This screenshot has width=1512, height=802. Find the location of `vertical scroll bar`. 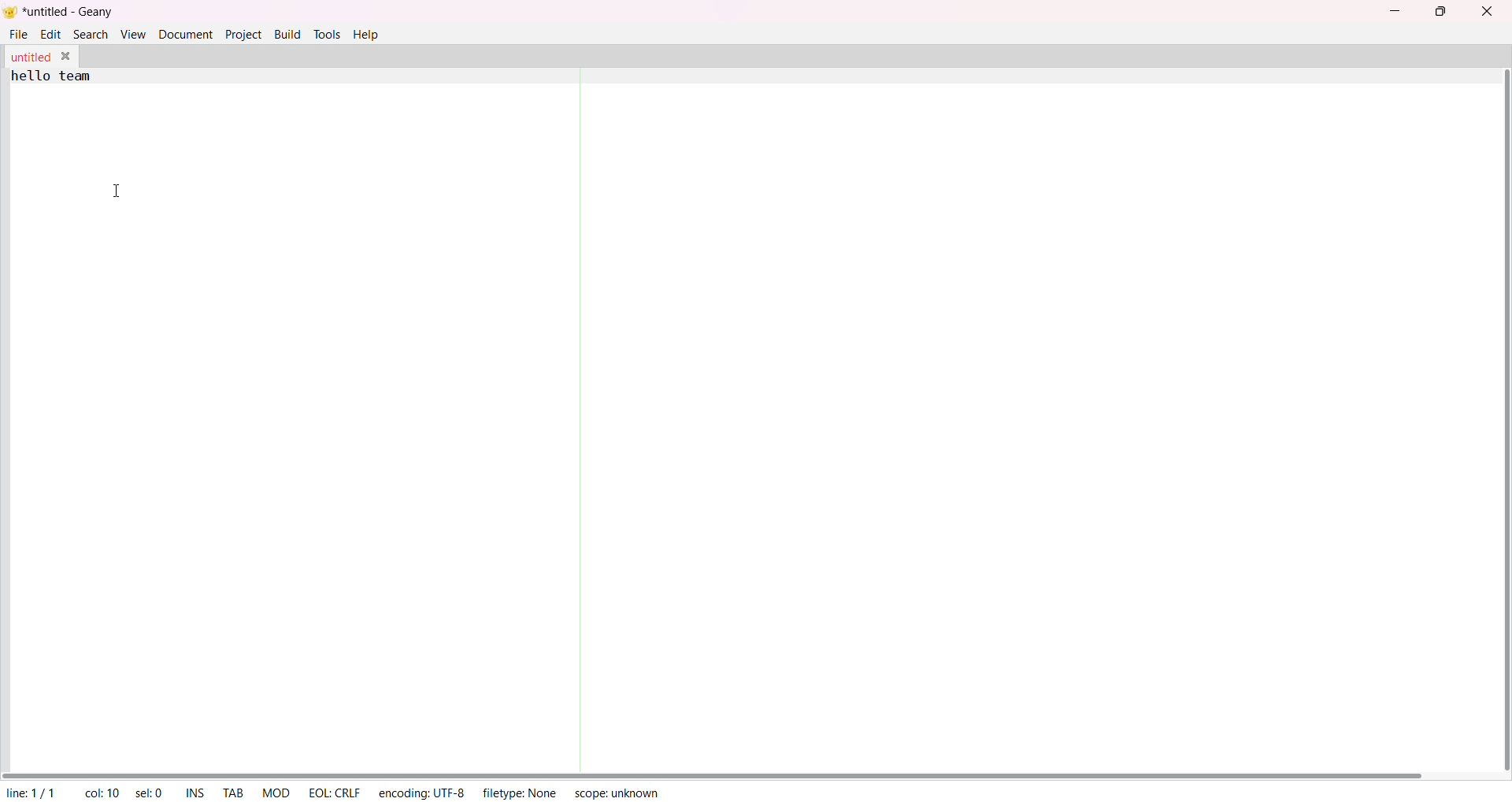

vertical scroll bar is located at coordinates (1502, 414).